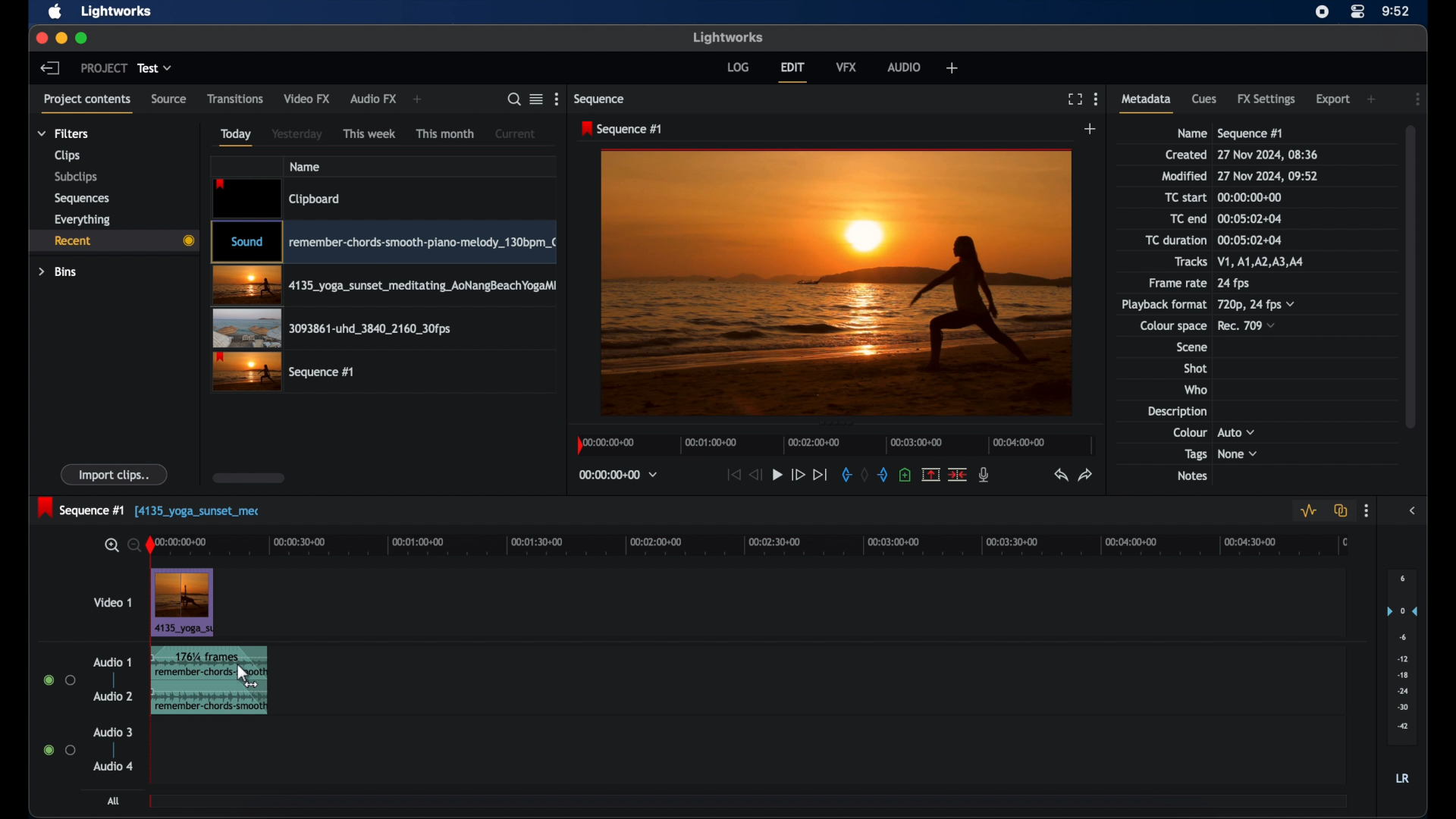 The height and width of the screenshot is (819, 1456). What do you see at coordinates (308, 98) in the screenshot?
I see `video fx` at bounding box center [308, 98].